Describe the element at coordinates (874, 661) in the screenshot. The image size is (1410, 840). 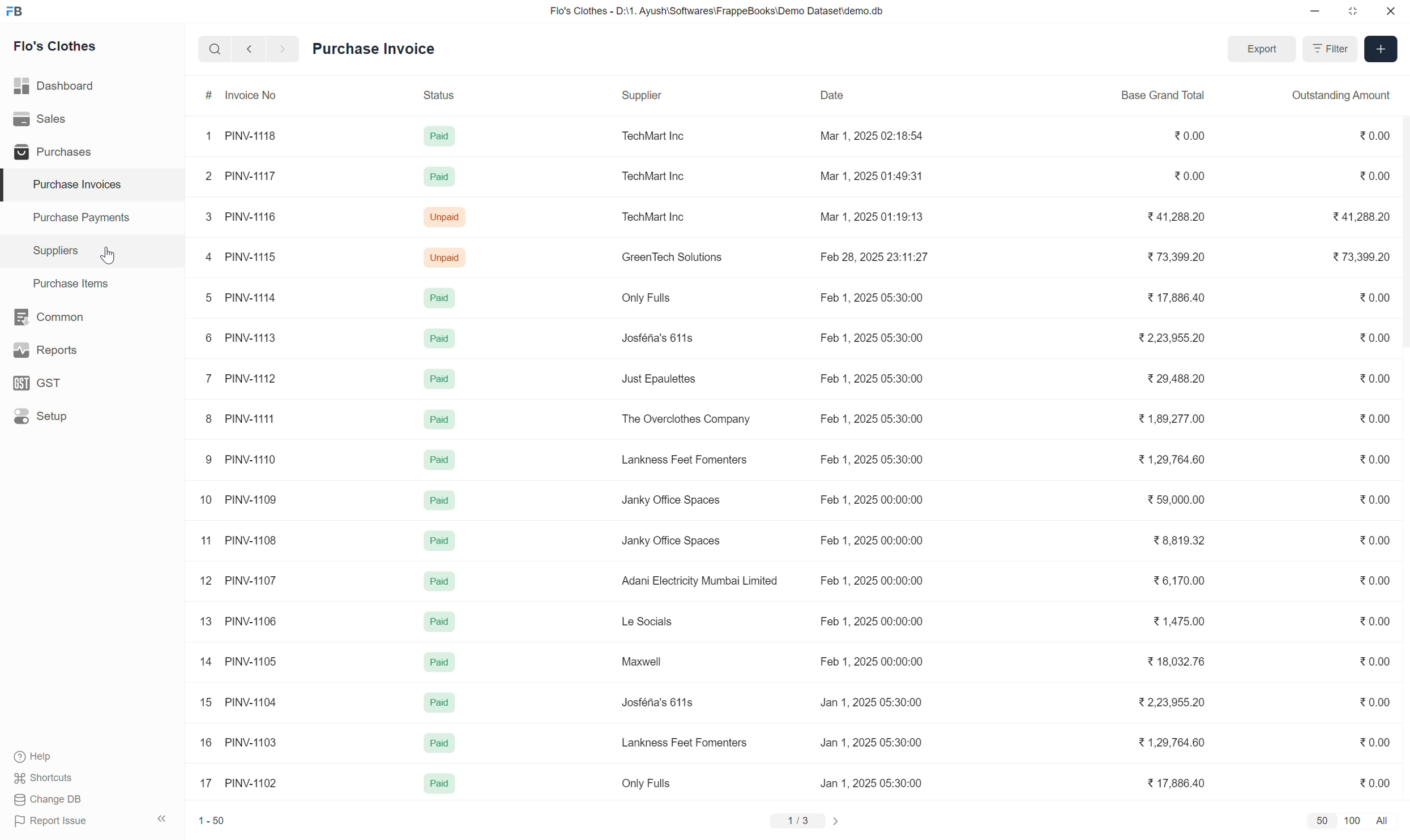
I see `Feb 1, 2025 00:00:00` at that location.